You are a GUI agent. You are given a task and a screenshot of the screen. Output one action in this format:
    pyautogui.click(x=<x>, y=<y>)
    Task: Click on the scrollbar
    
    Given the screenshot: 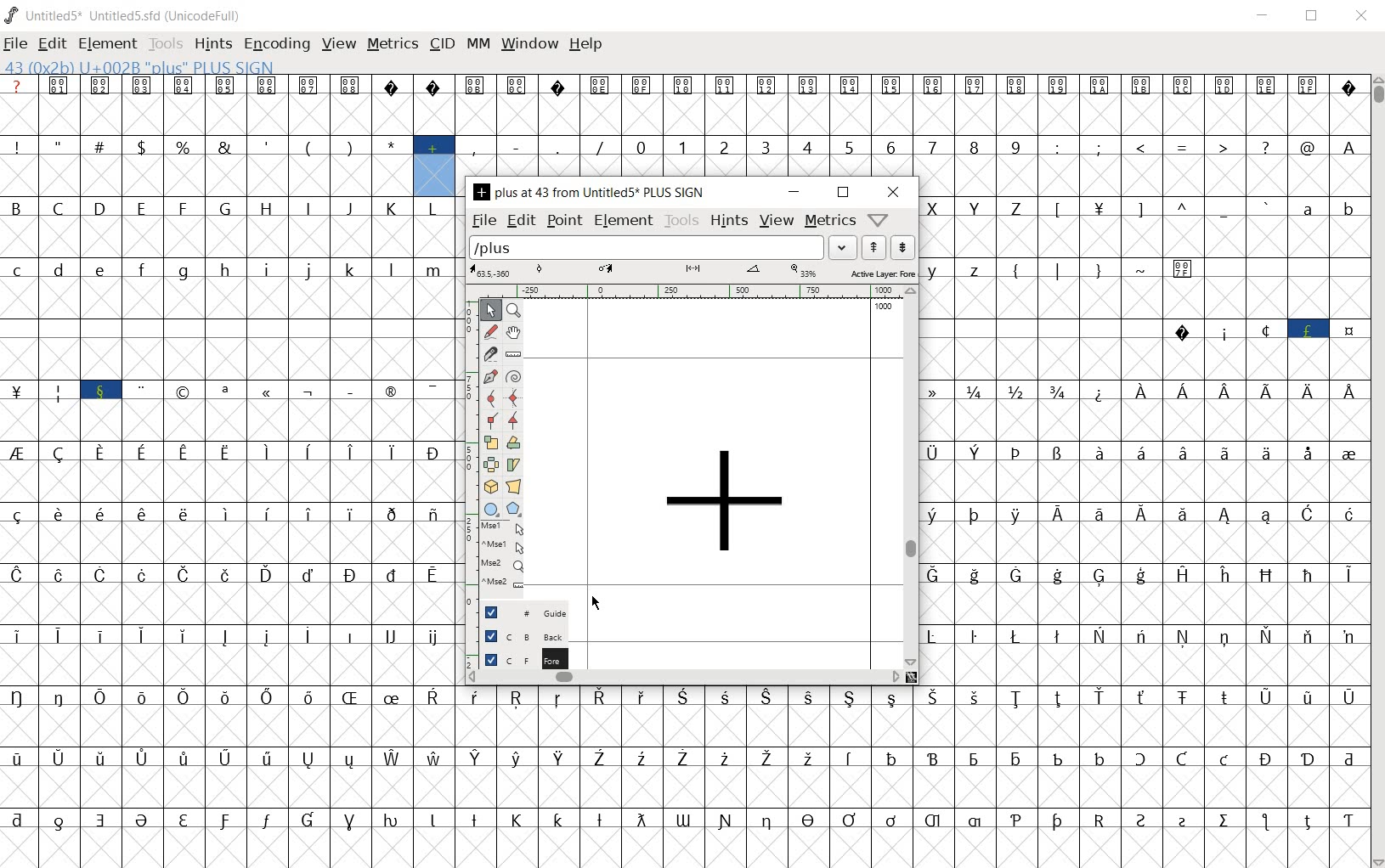 What is the action you would take?
    pyautogui.click(x=1377, y=470)
    